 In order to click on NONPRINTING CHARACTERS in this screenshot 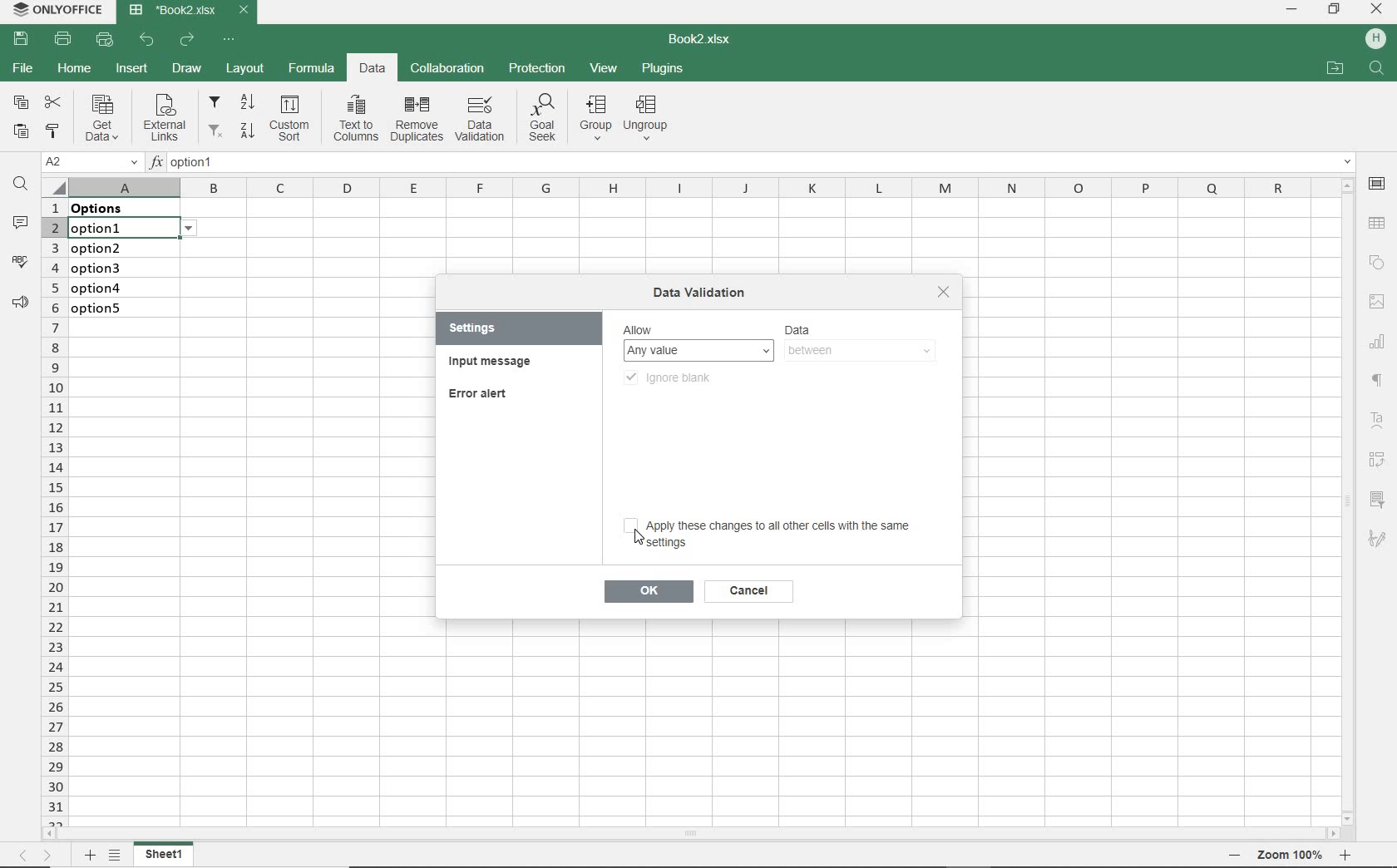, I will do `click(1380, 382)`.